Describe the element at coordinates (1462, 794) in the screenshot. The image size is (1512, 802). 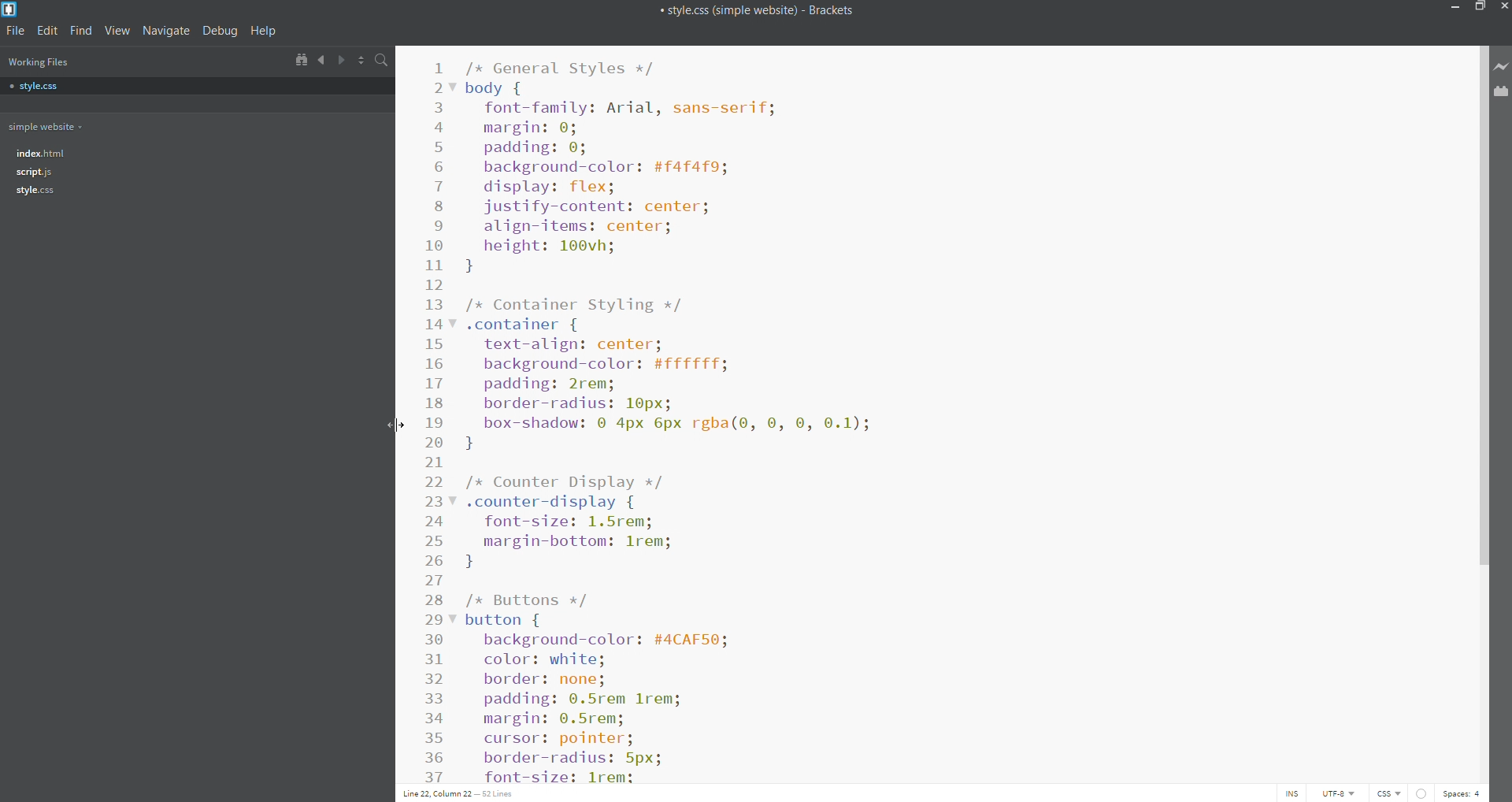
I see `space count` at that location.